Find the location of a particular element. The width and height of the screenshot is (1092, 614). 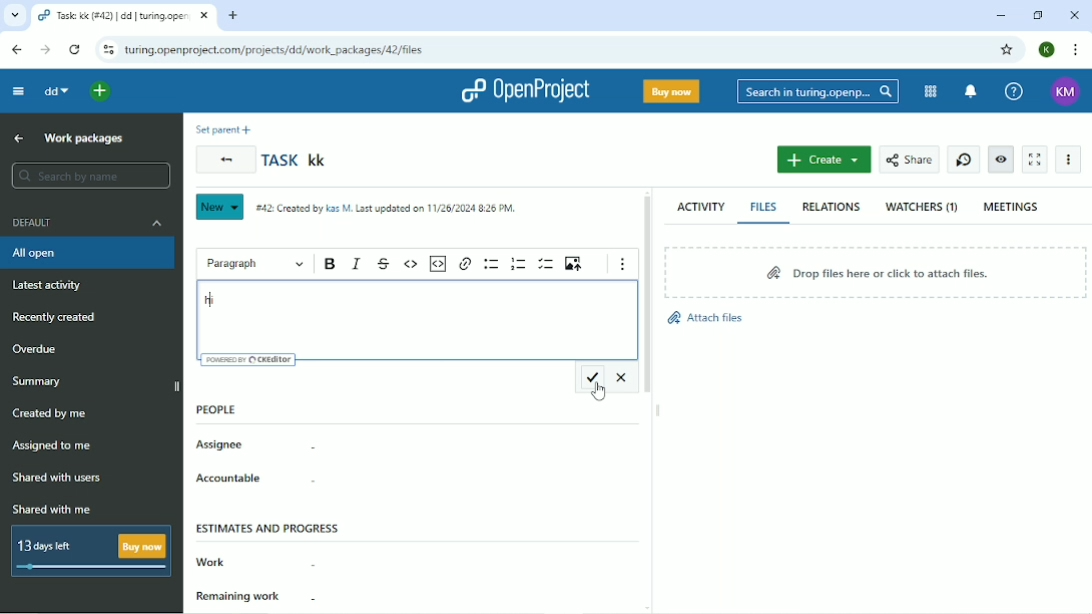

Code is located at coordinates (411, 264).